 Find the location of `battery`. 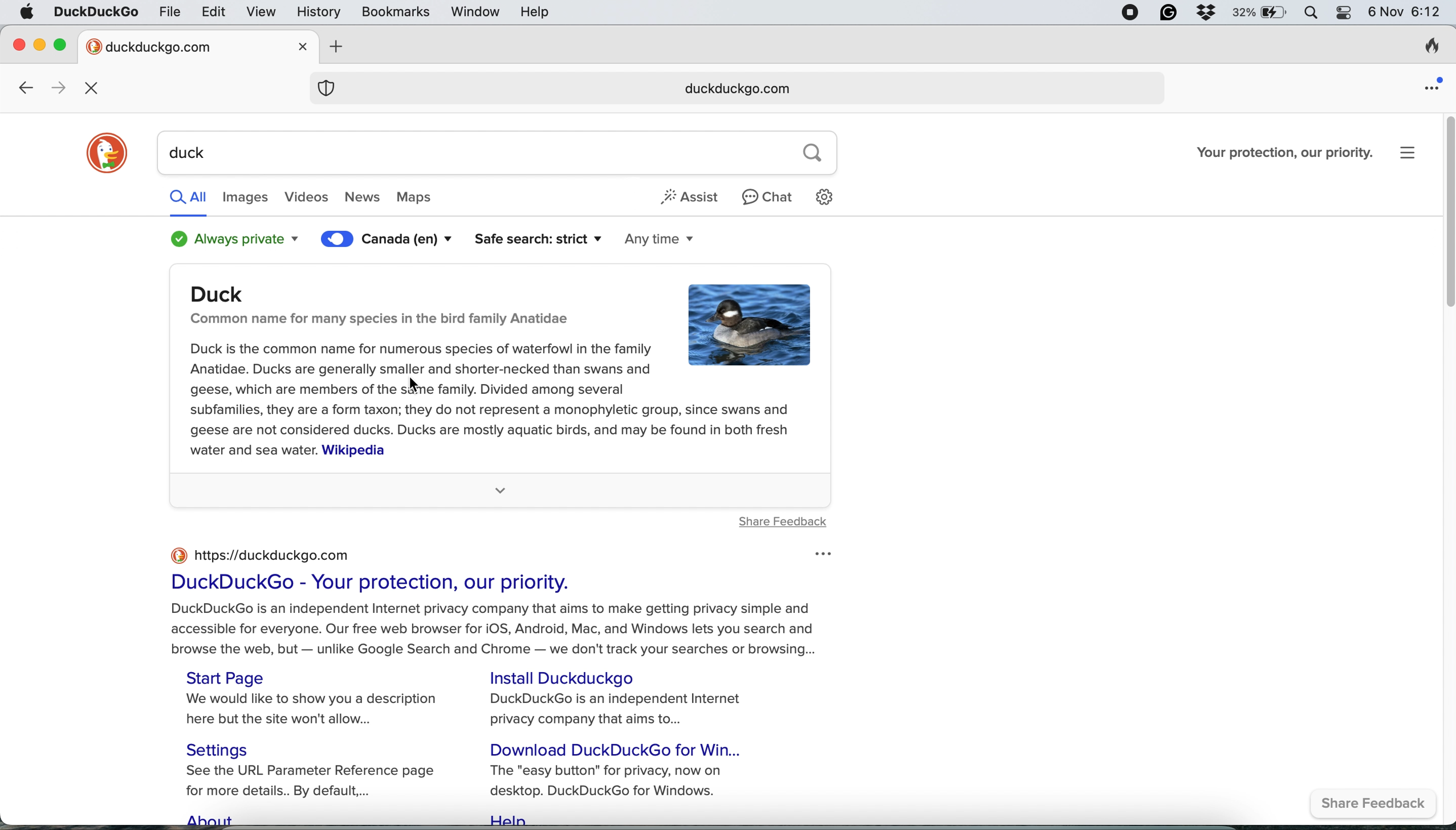

battery is located at coordinates (1260, 13).